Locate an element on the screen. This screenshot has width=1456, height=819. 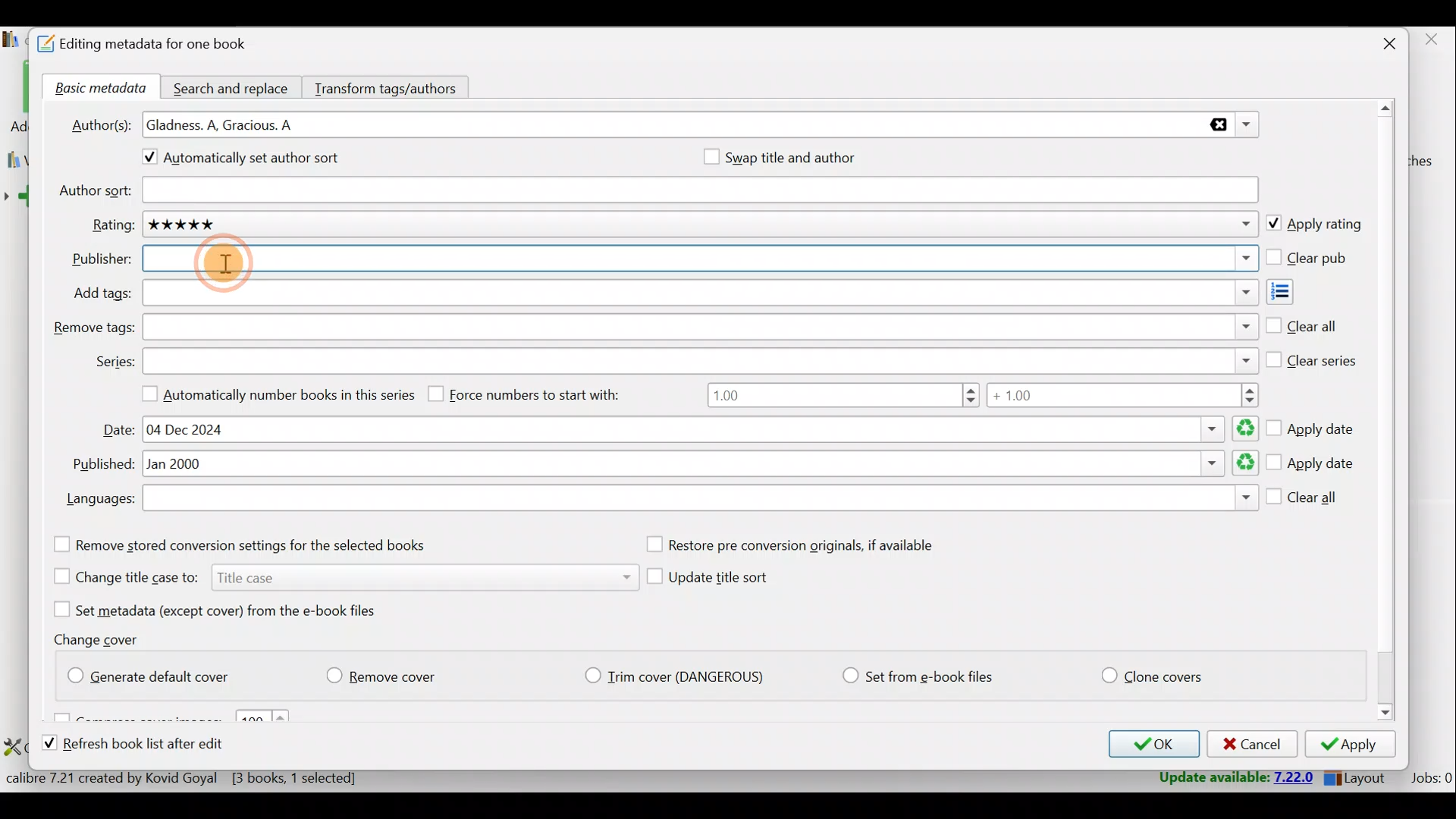
Date: is located at coordinates (119, 430).